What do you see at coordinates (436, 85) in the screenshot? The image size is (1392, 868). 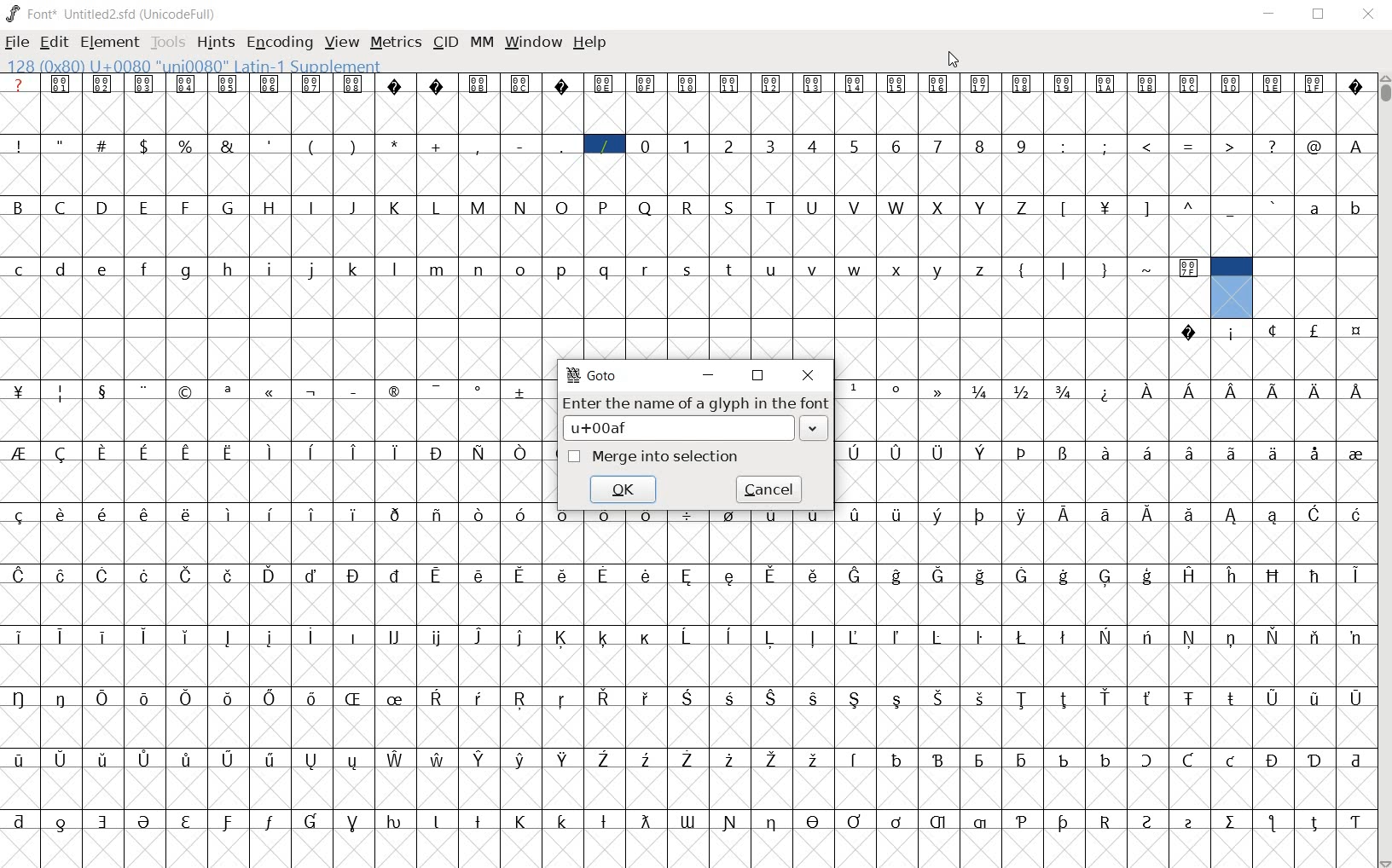 I see `Symbol` at bounding box center [436, 85].